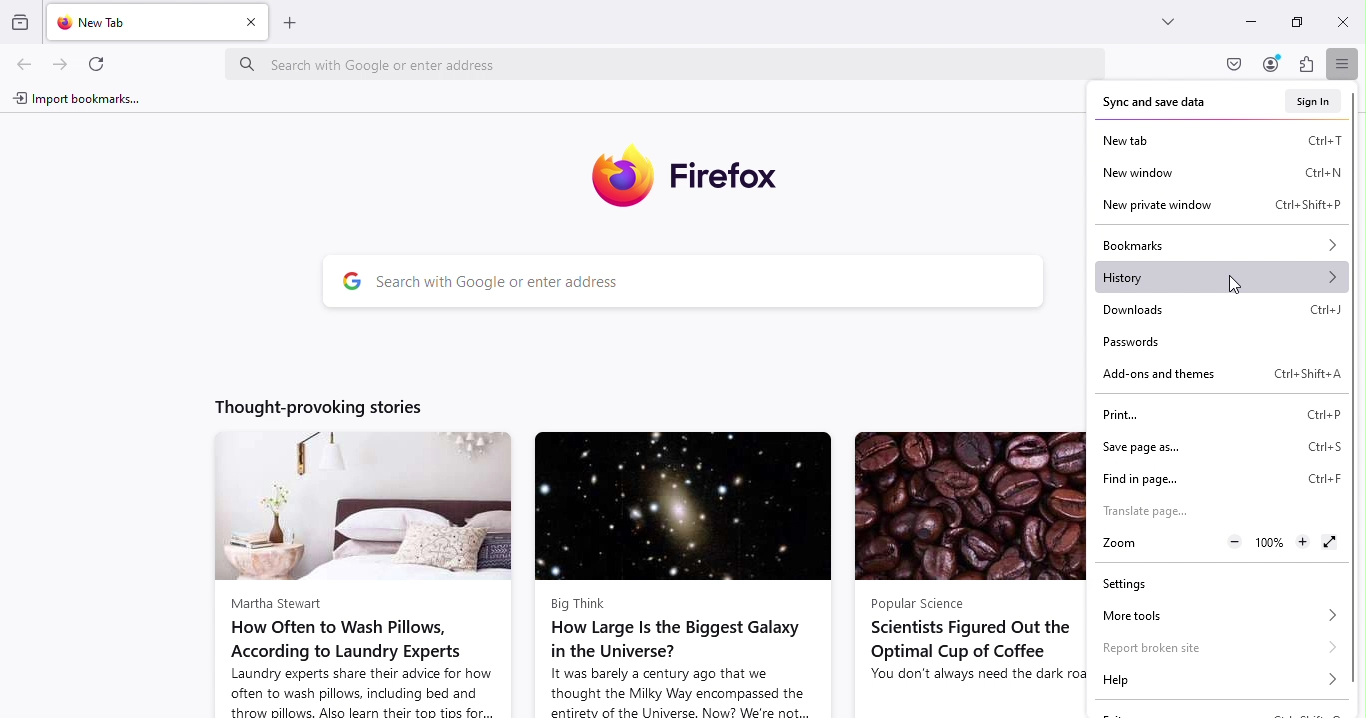 The height and width of the screenshot is (718, 1366). I want to click on Sync and save data, so click(1162, 101).